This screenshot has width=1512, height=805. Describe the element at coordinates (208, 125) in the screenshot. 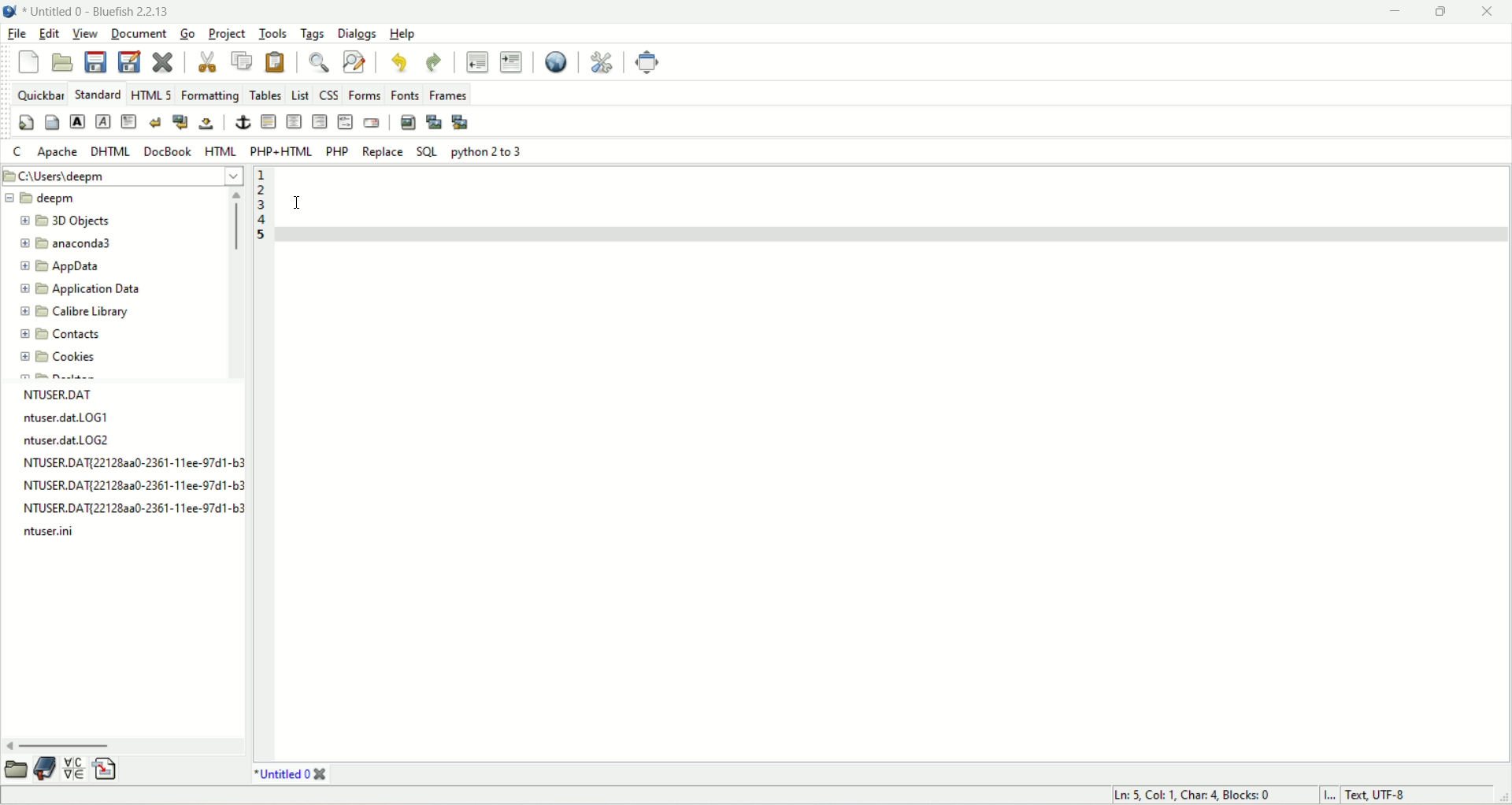

I see `non-breaking space` at that location.